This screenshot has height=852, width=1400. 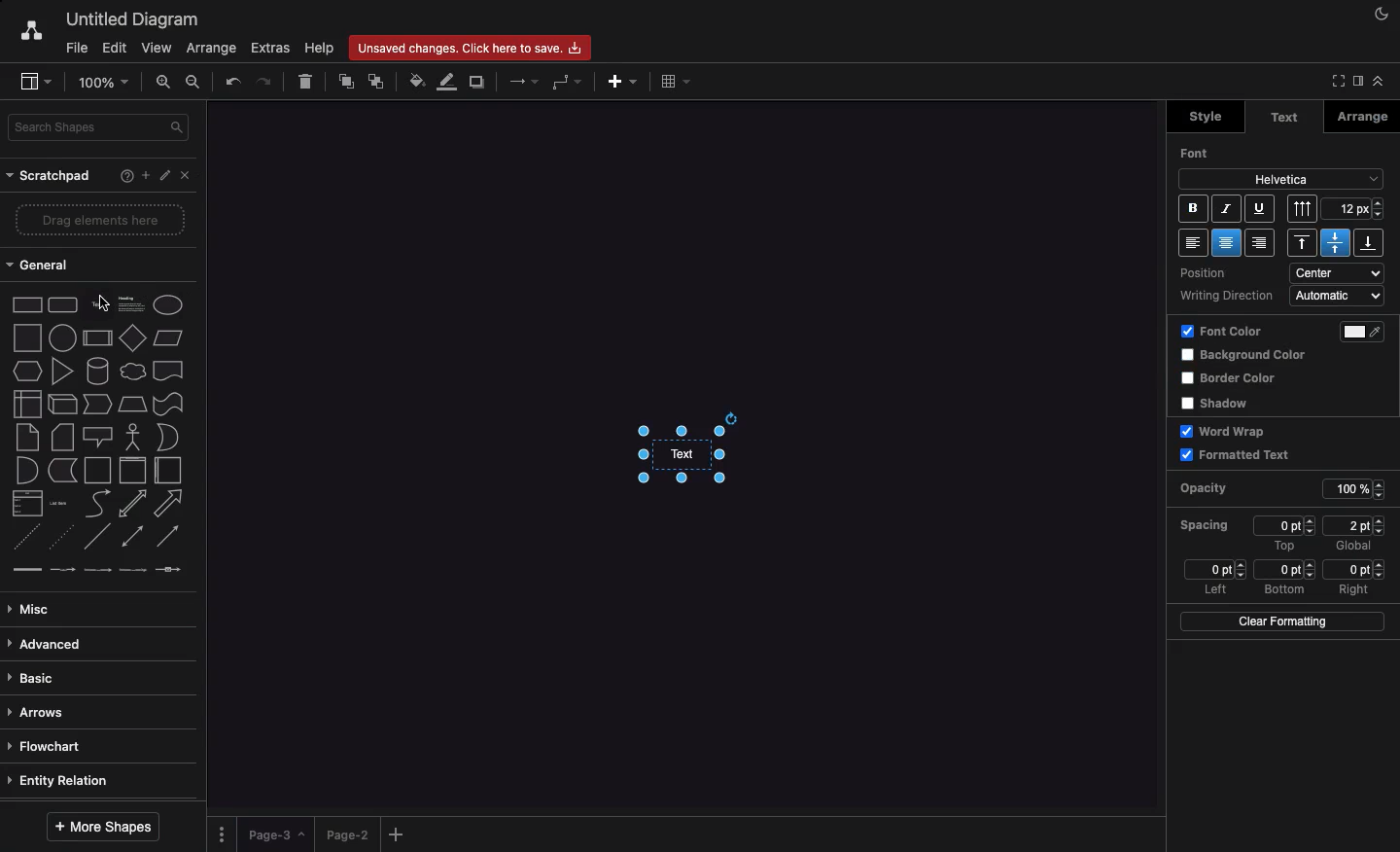 I want to click on connector with 3 labels, so click(x=133, y=570).